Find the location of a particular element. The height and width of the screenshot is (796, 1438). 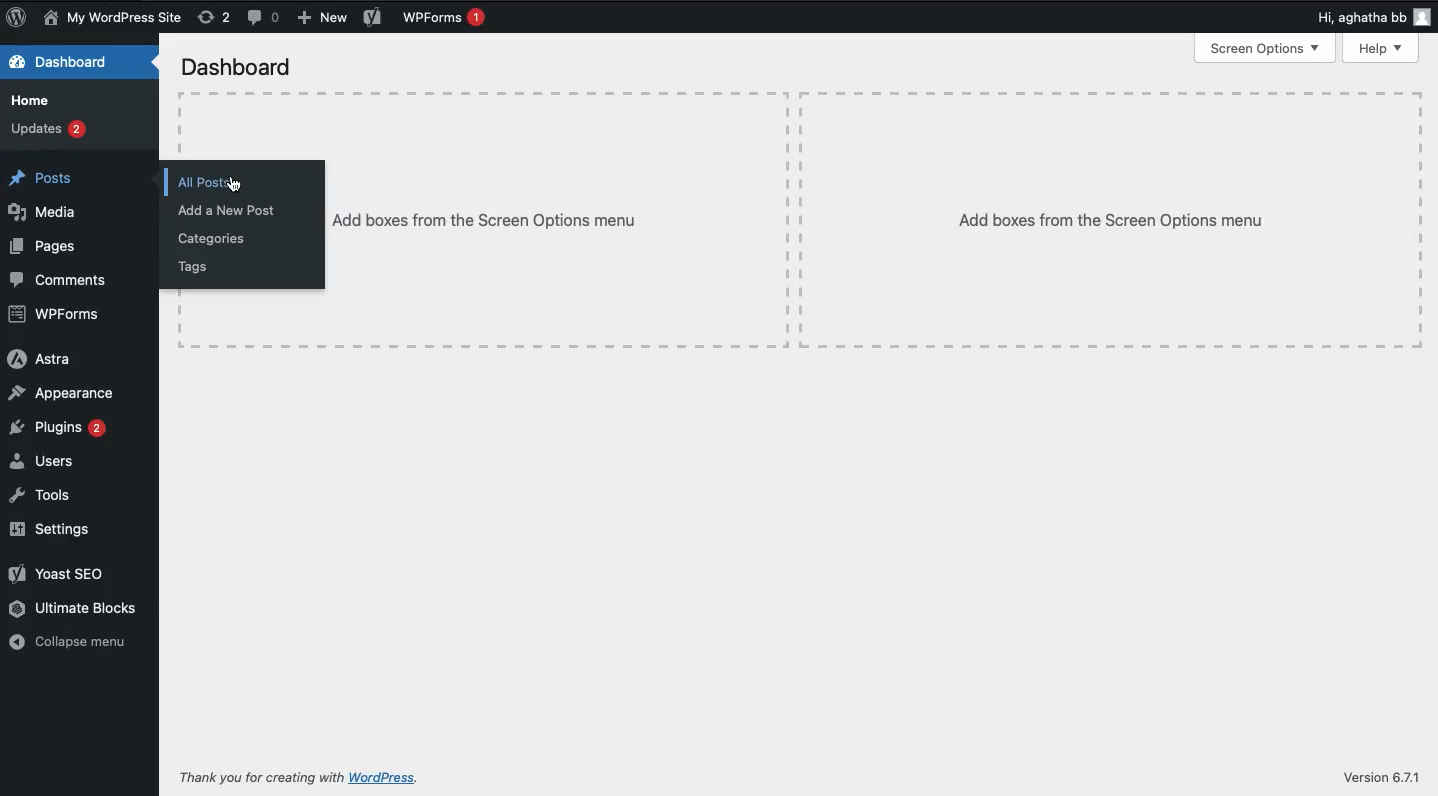

Help is located at coordinates (1380, 48).